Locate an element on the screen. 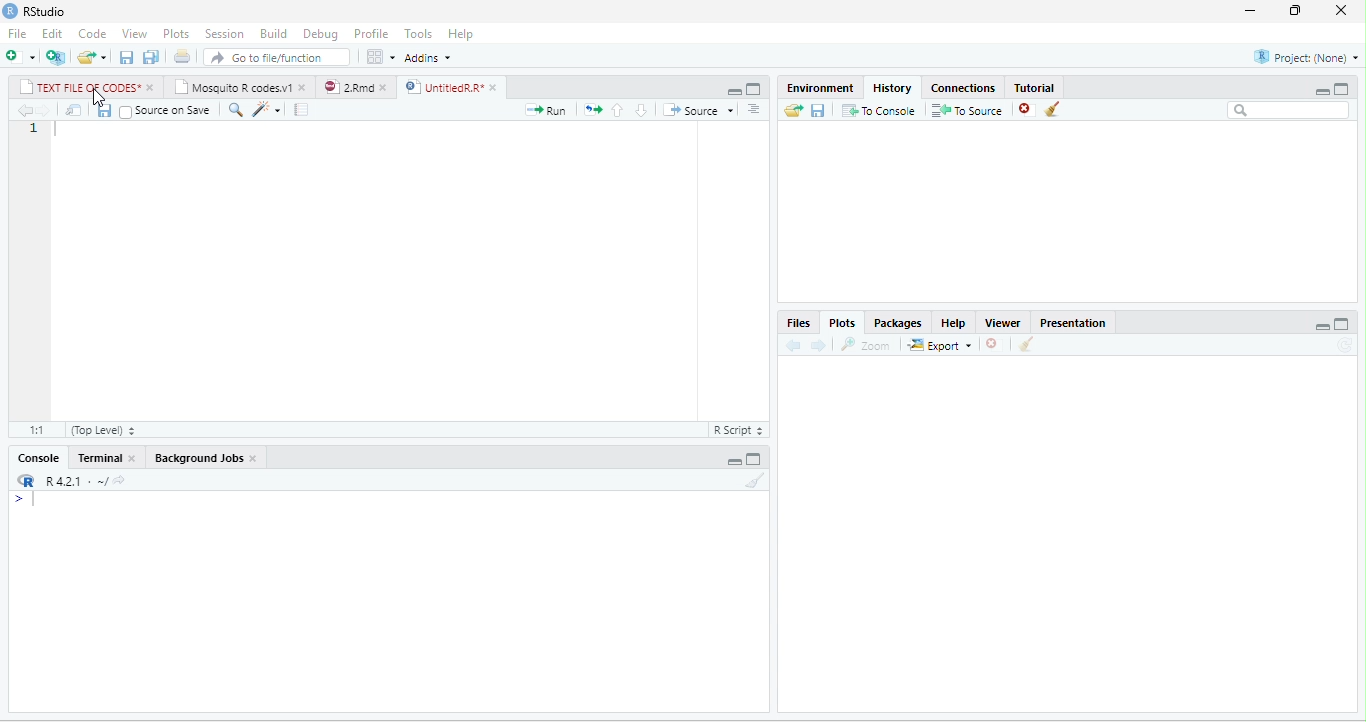  print is located at coordinates (183, 57).